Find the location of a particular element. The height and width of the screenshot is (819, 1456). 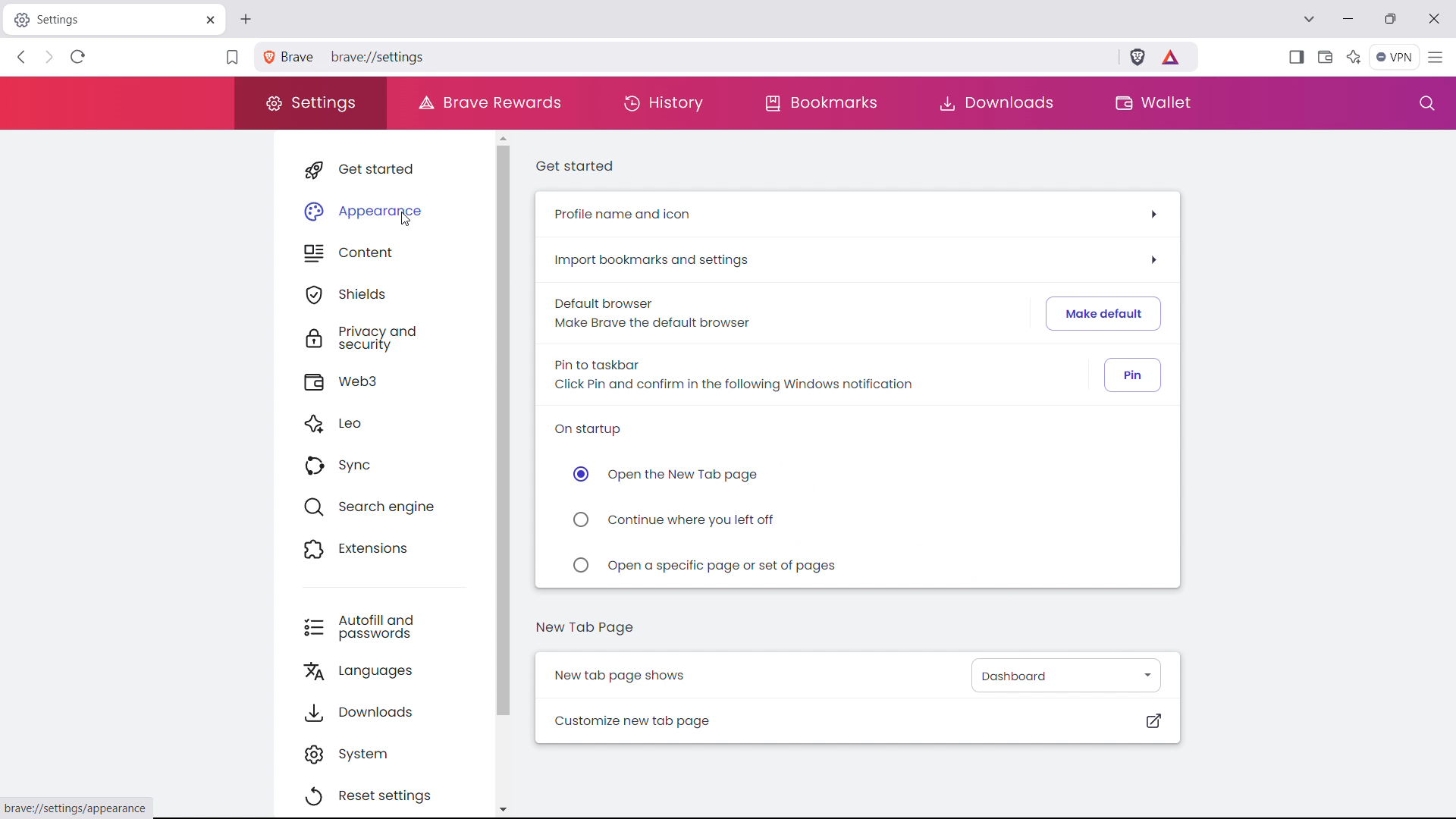

open a specific page or set of pages is located at coordinates (705, 565).